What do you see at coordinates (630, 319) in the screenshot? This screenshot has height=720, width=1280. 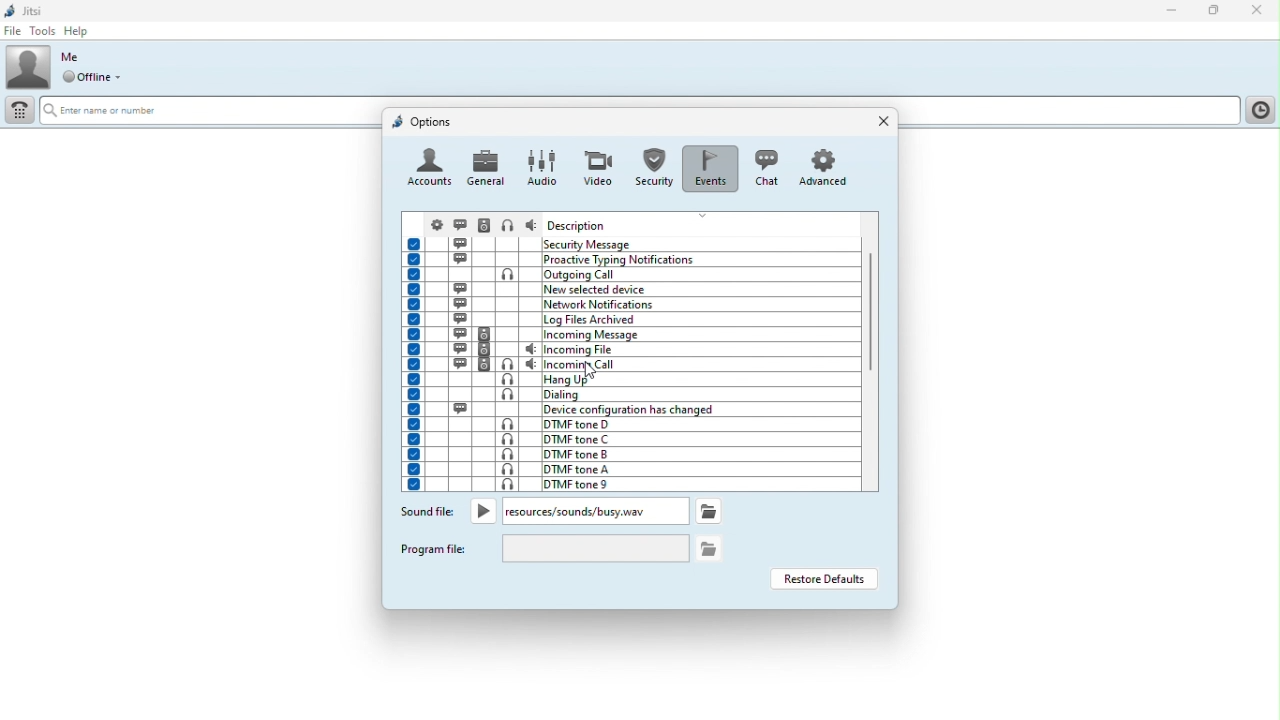 I see `log files archived ` at bounding box center [630, 319].